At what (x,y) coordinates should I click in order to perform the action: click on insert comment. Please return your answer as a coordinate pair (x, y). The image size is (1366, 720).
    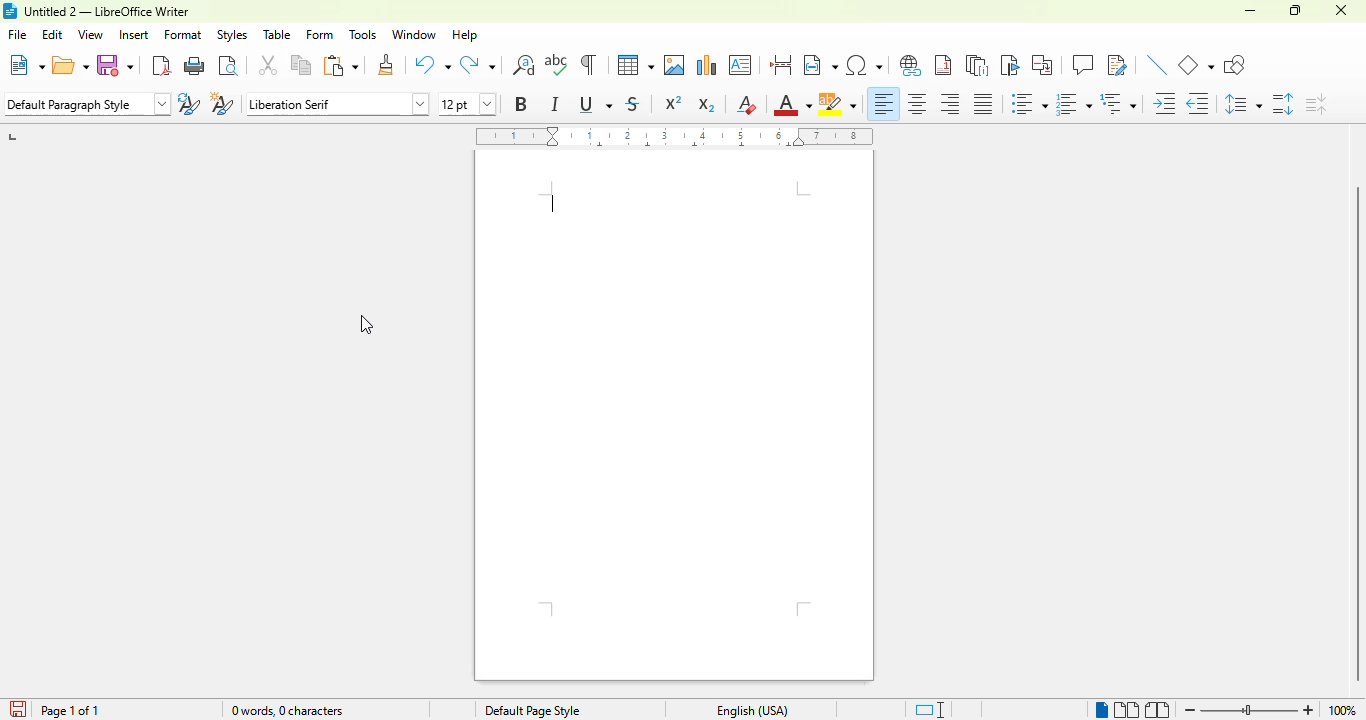
    Looking at the image, I should click on (1083, 64).